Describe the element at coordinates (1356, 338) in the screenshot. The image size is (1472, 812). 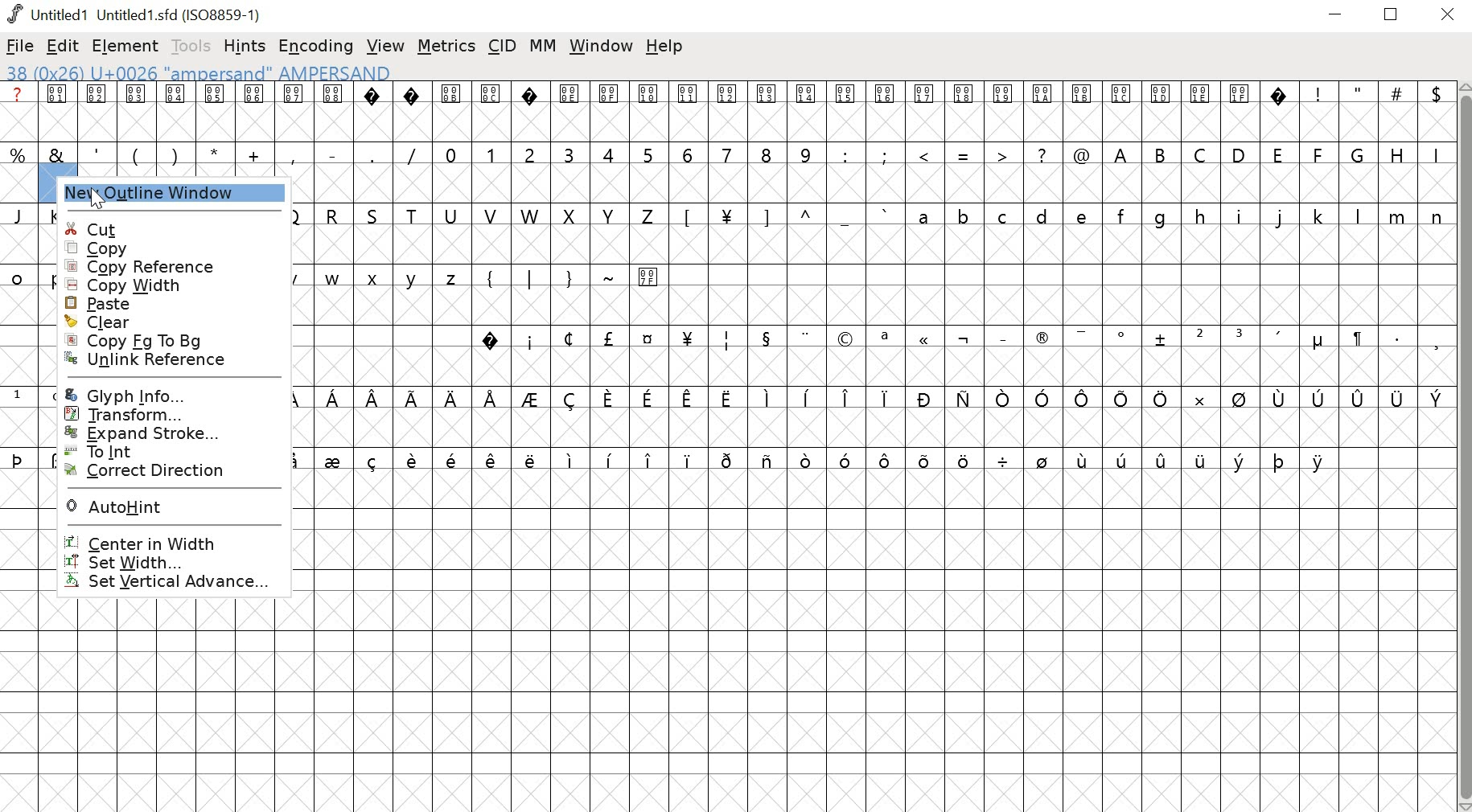
I see `symbol` at that location.